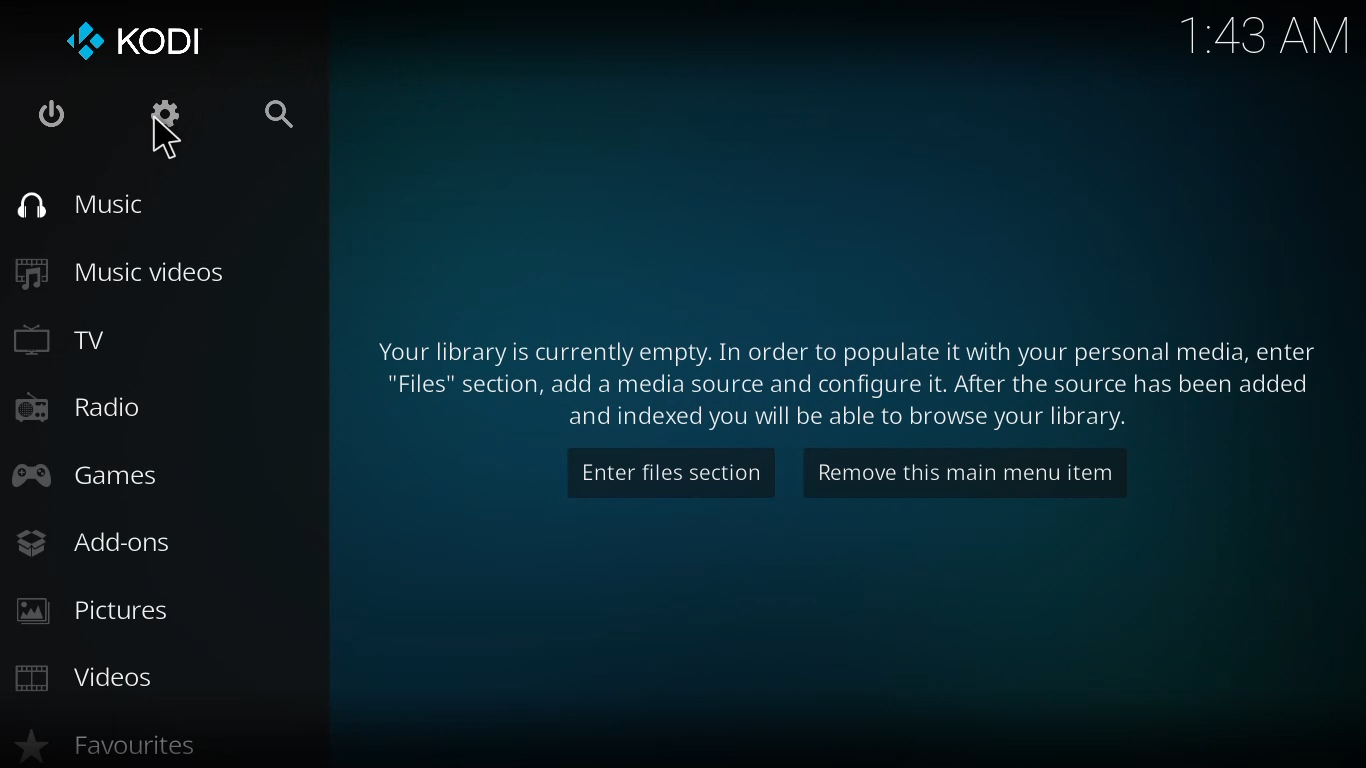 The width and height of the screenshot is (1366, 768). Describe the element at coordinates (78, 203) in the screenshot. I see `music` at that location.